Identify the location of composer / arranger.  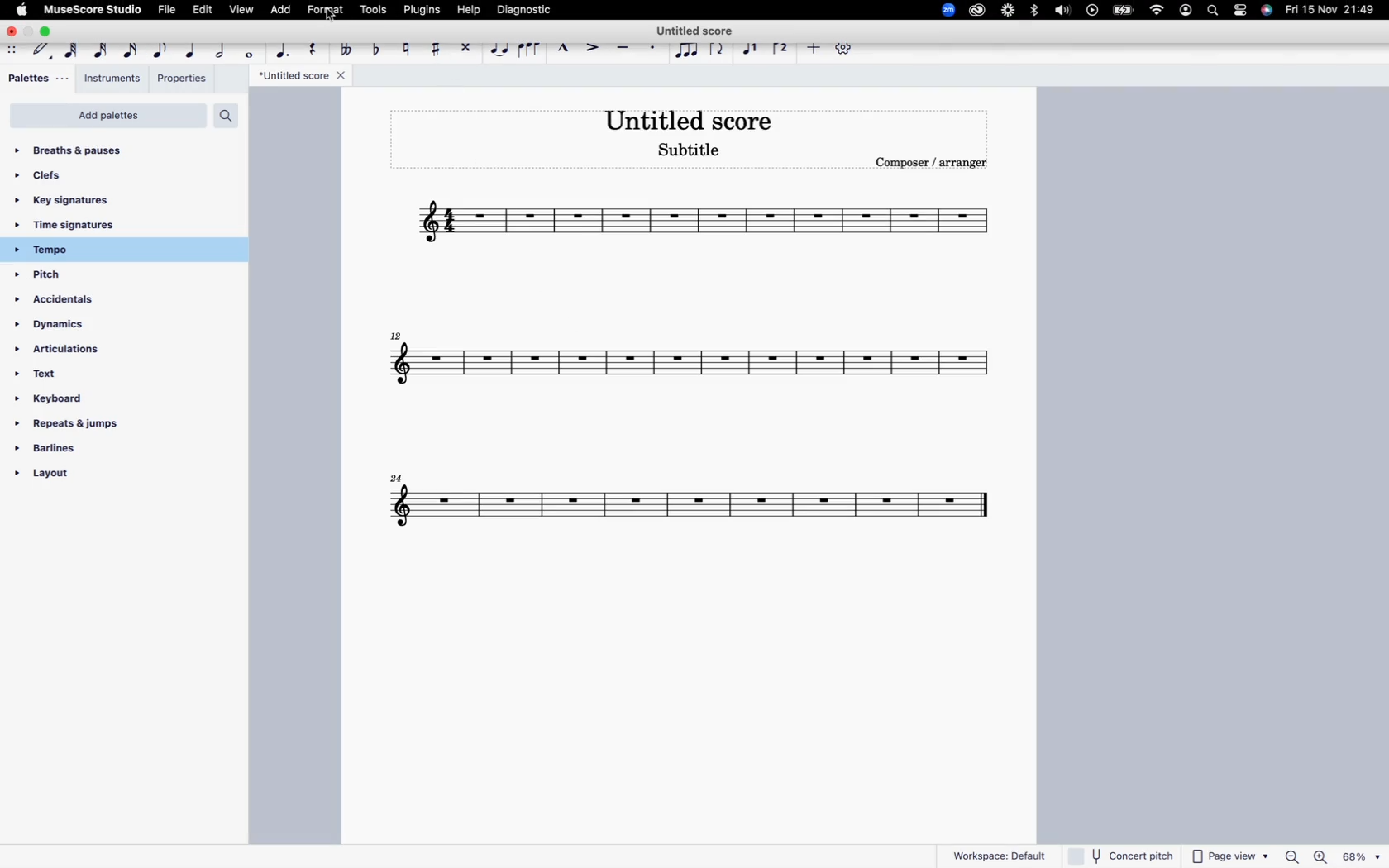
(937, 162).